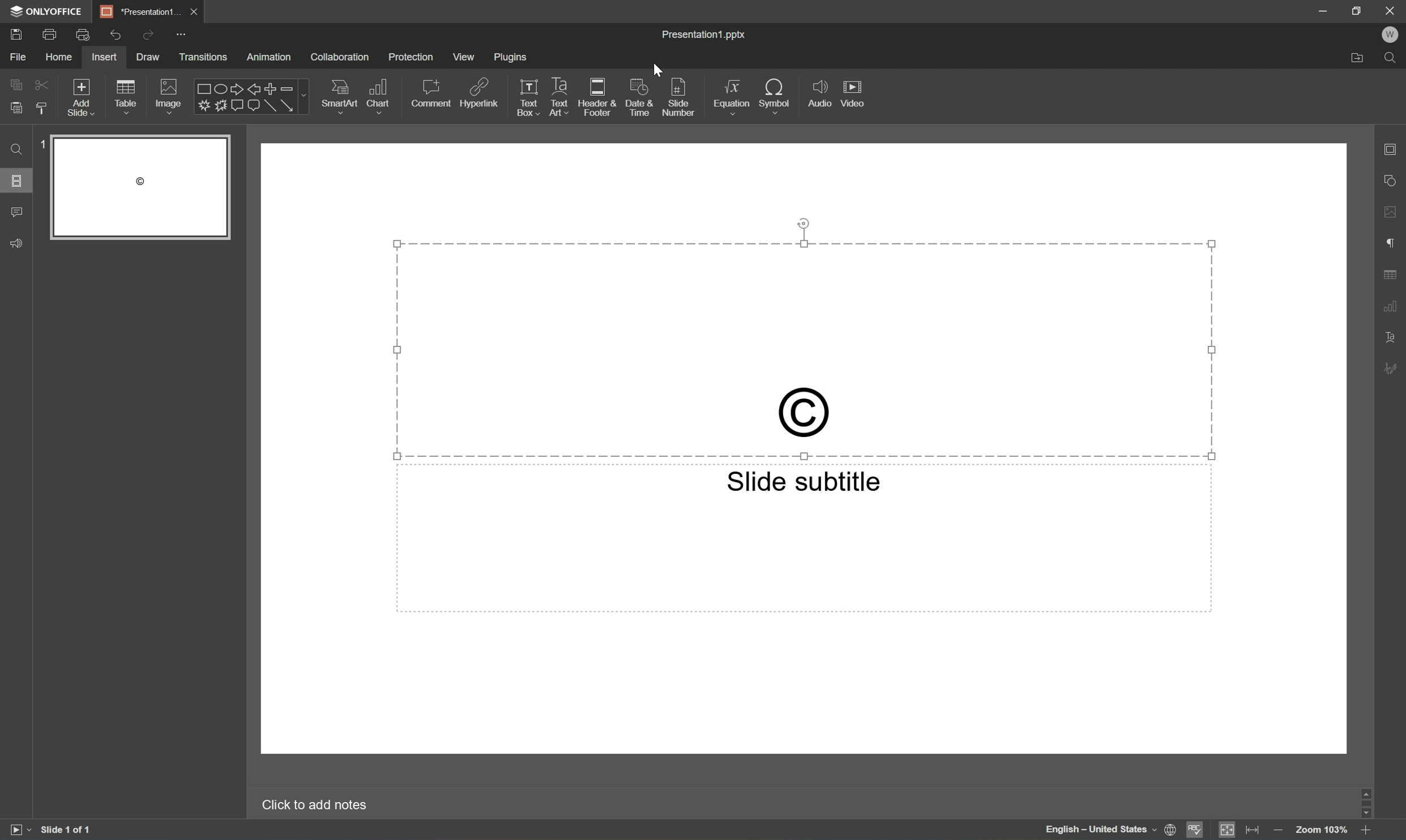  What do you see at coordinates (1395, 213) in the screenshot?
I see `Image settings` at bounding box center [1395, 213].